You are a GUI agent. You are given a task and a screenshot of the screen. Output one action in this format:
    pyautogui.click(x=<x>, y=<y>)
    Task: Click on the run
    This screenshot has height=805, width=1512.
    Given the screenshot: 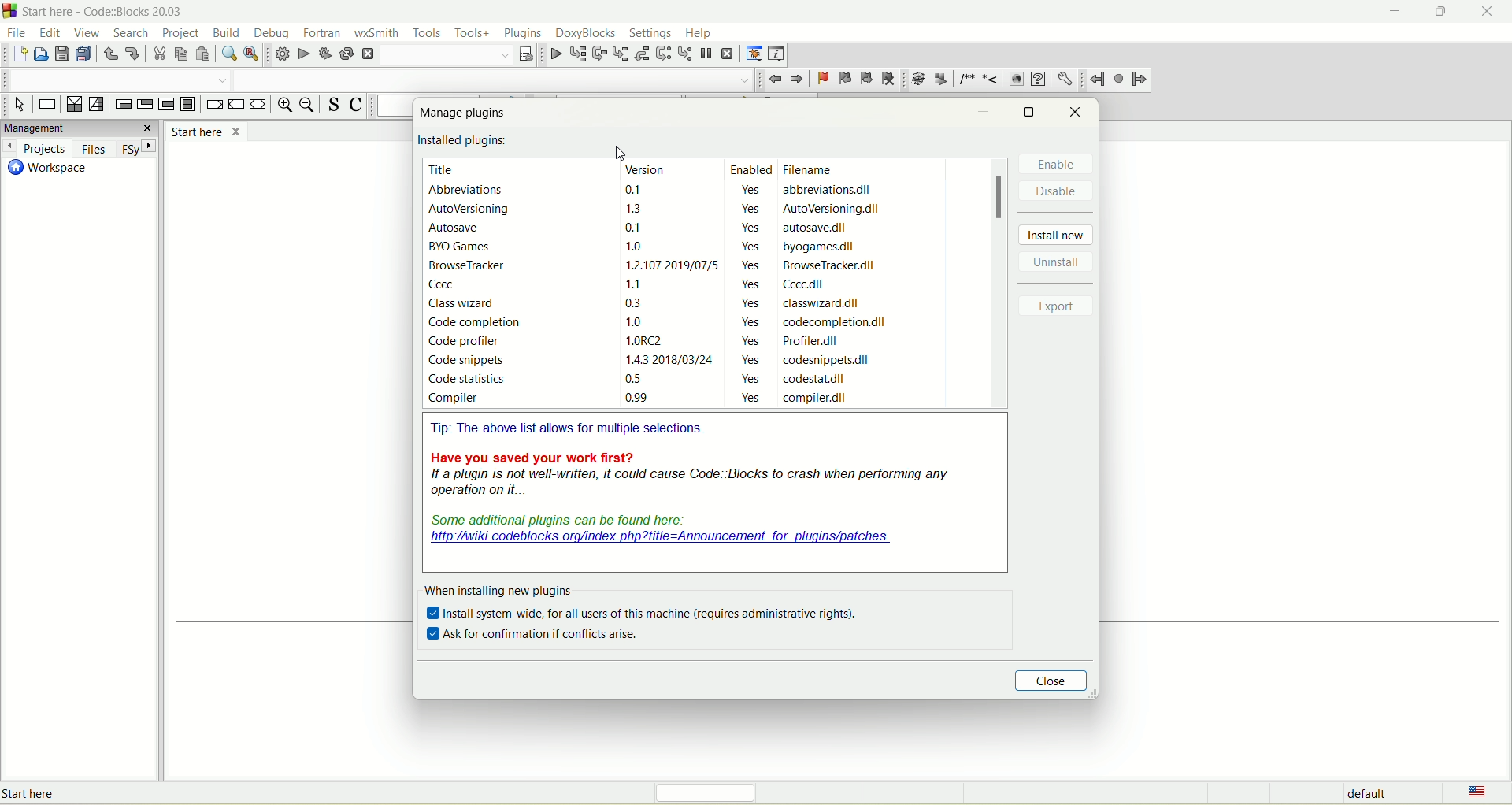 What is the action you would take?
    pyautogui.click(x=304, y=54)
    